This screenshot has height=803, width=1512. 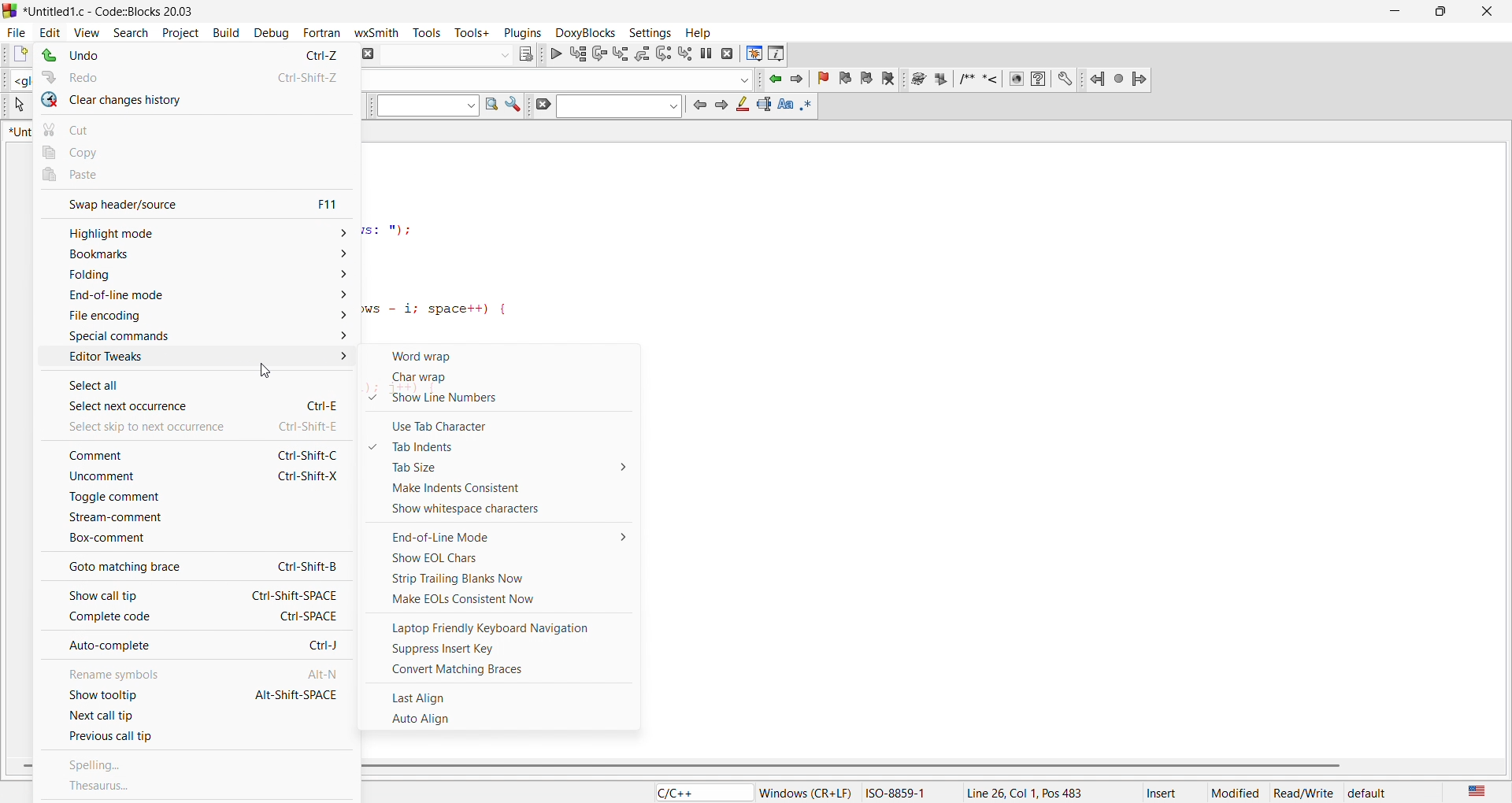 What do you see at coordinates (198, 738) in the screenshot?
I see `previous call tip` at bounding box center [198, 738].